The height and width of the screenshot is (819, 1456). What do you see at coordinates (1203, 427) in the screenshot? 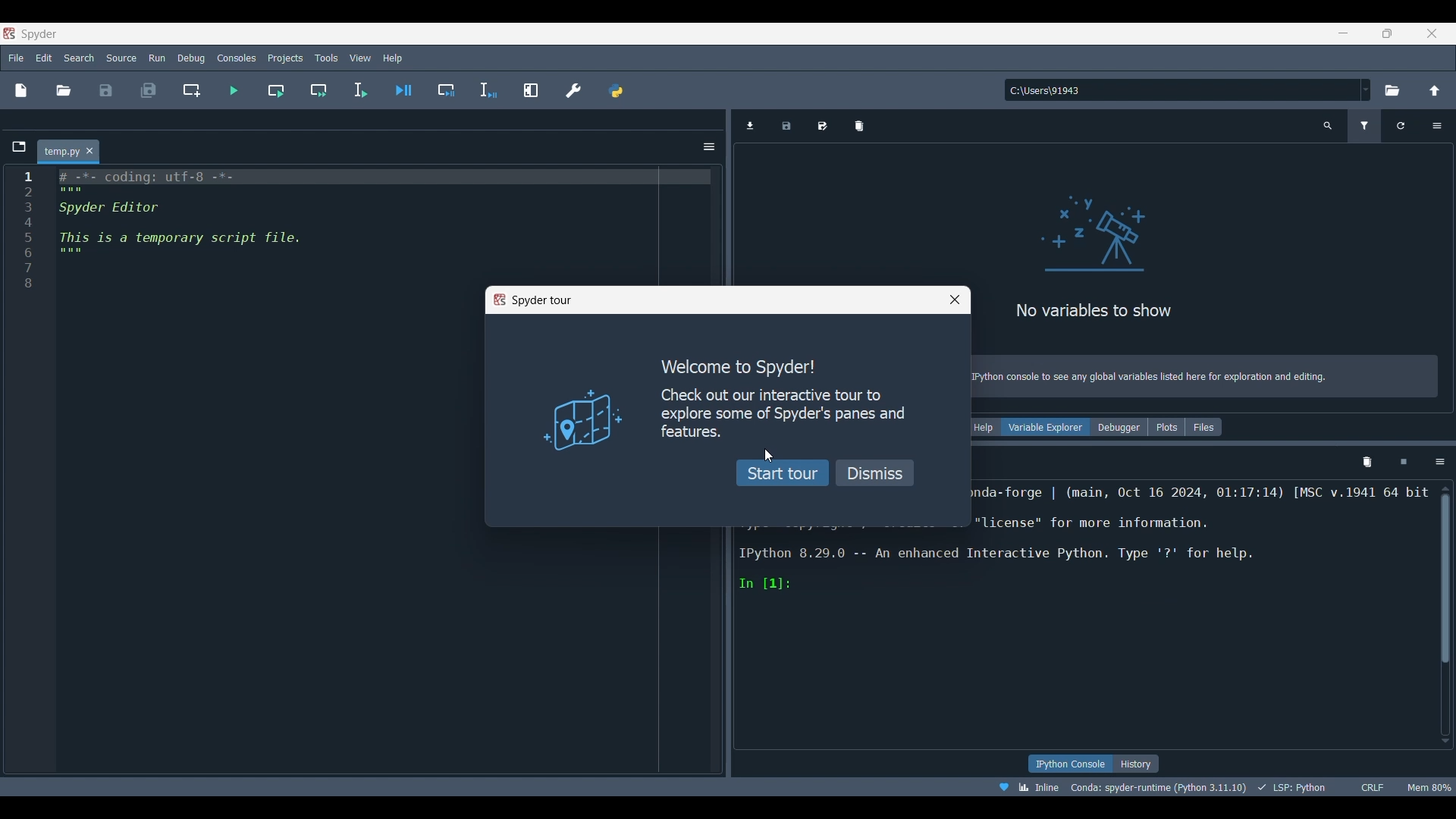
I see `Files` at bounding box center [1203, 427].